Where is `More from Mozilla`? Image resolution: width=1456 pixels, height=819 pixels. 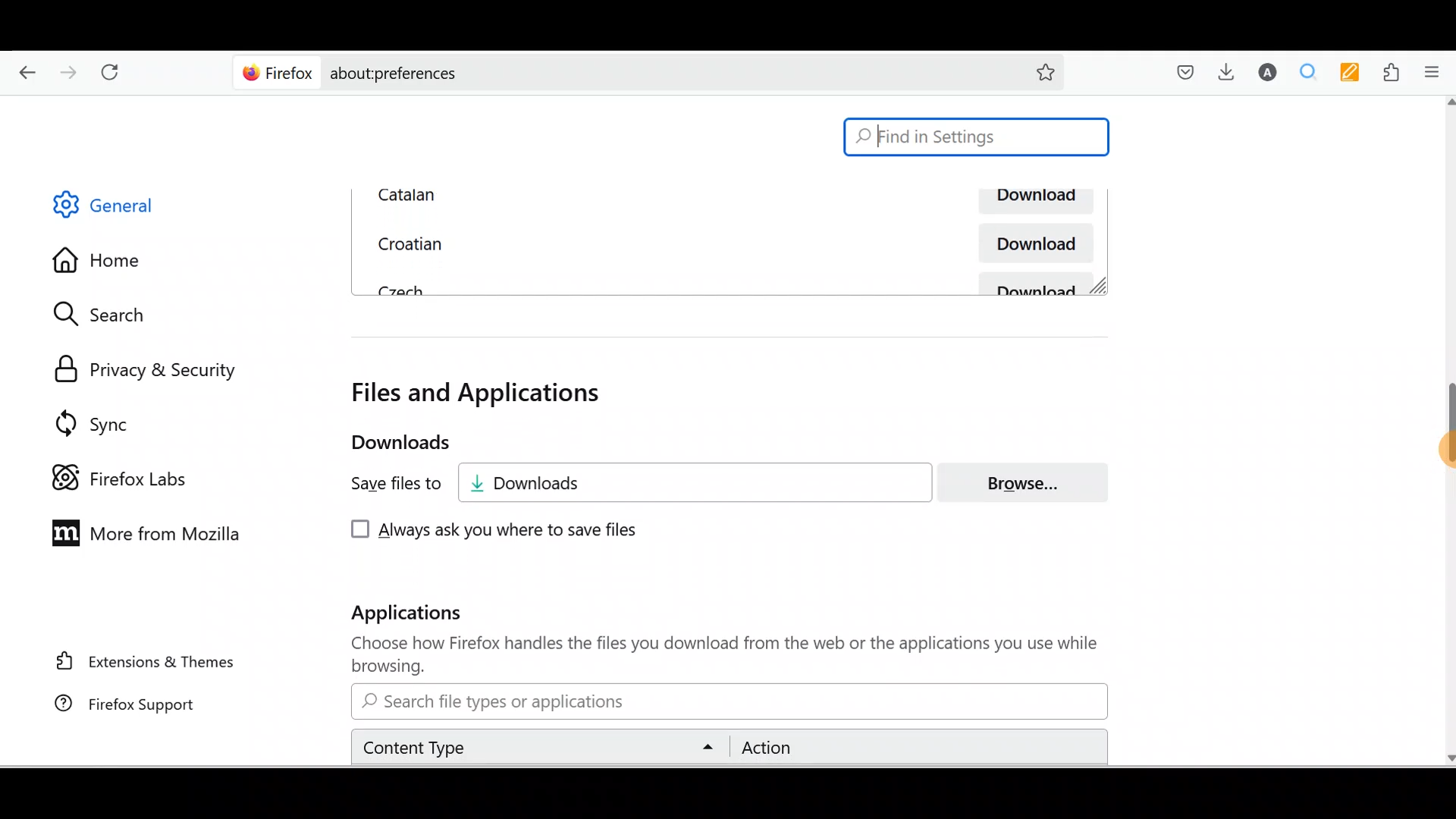 More from Mozilla is located at coordinates (149, 535).